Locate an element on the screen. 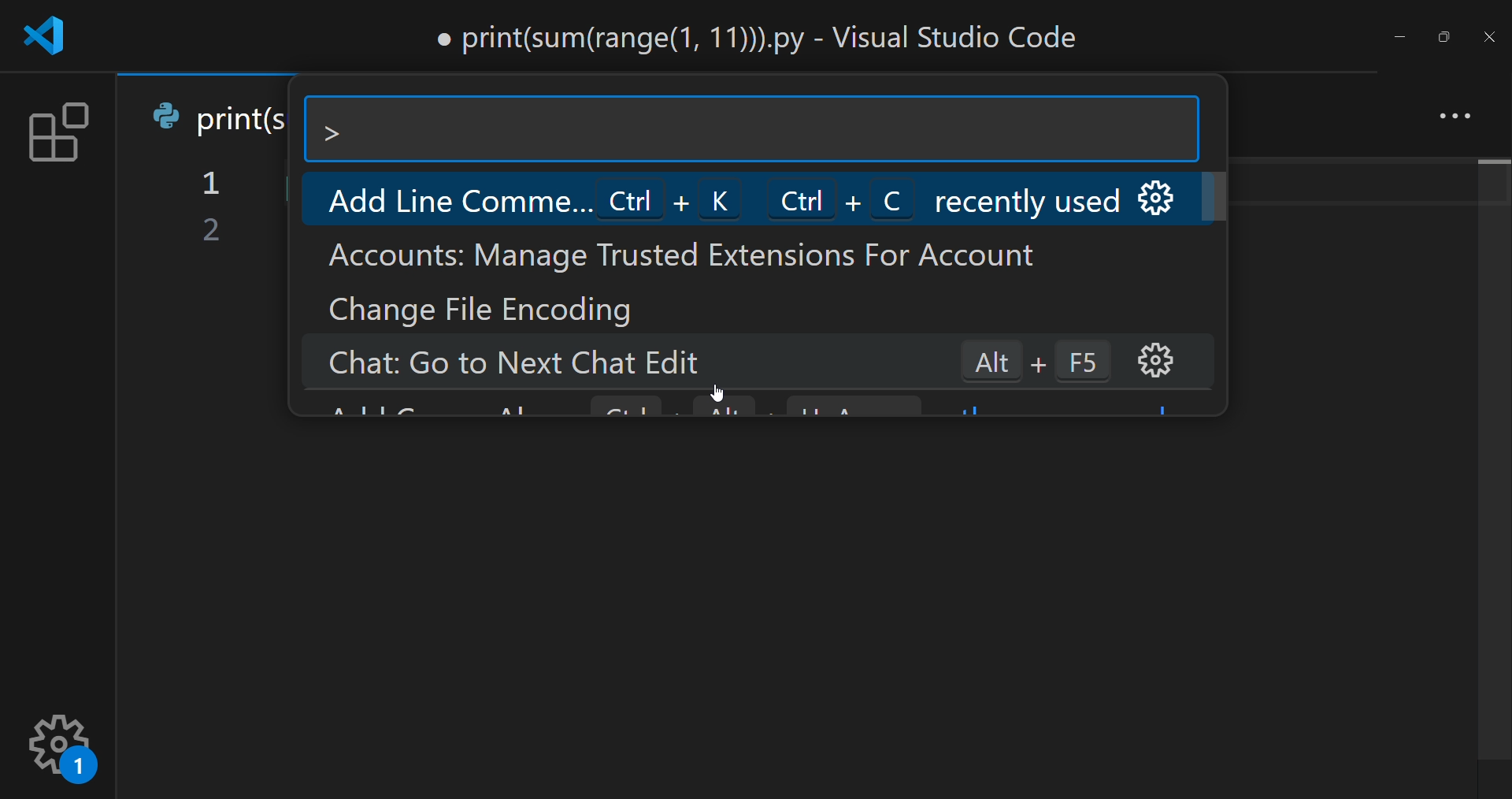 Image resolution: width=1512 pixels, height=799 pixels. print(s is located at coordinates (222, 115).